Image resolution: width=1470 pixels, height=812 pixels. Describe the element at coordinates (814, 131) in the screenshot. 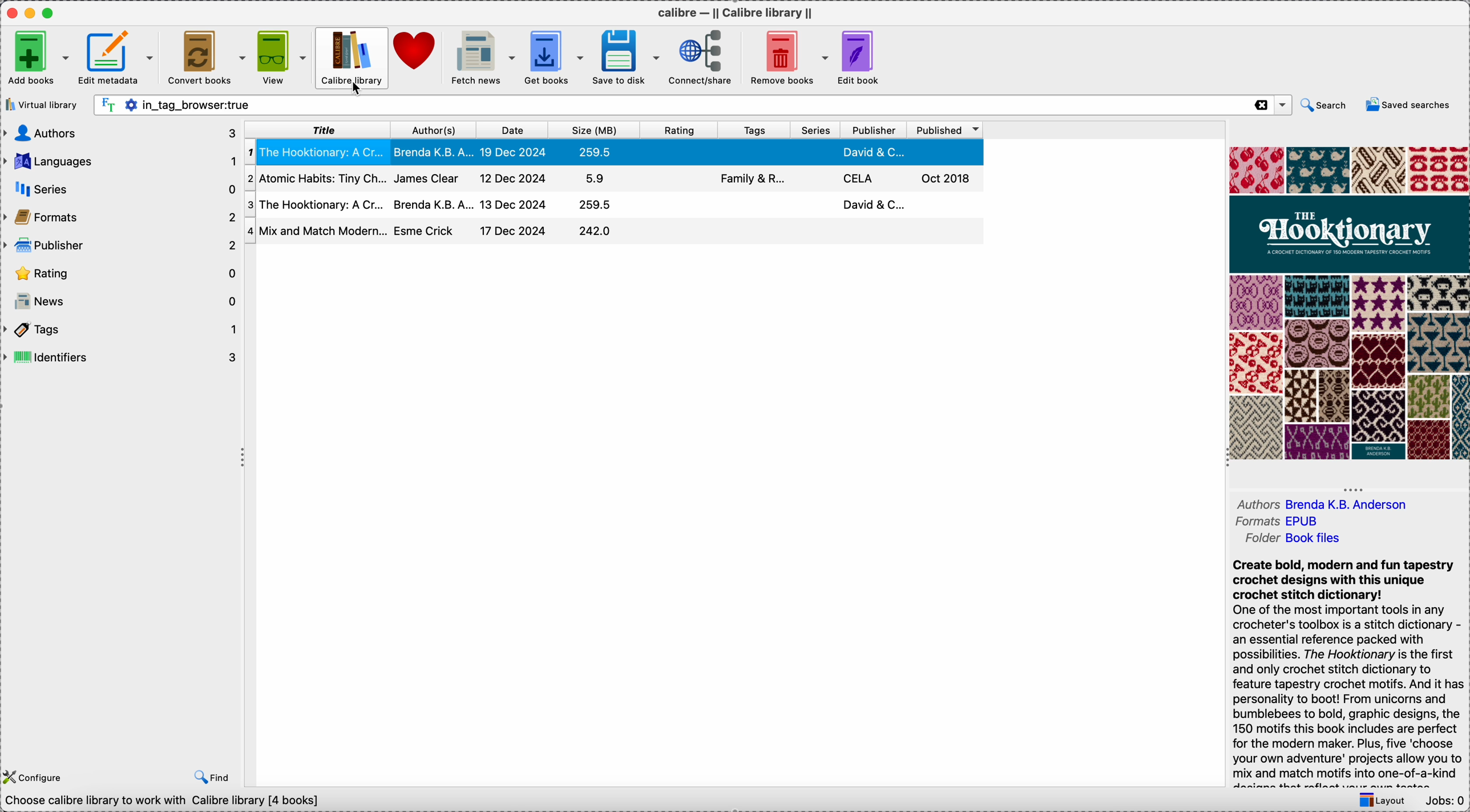

I see `series` at that location.